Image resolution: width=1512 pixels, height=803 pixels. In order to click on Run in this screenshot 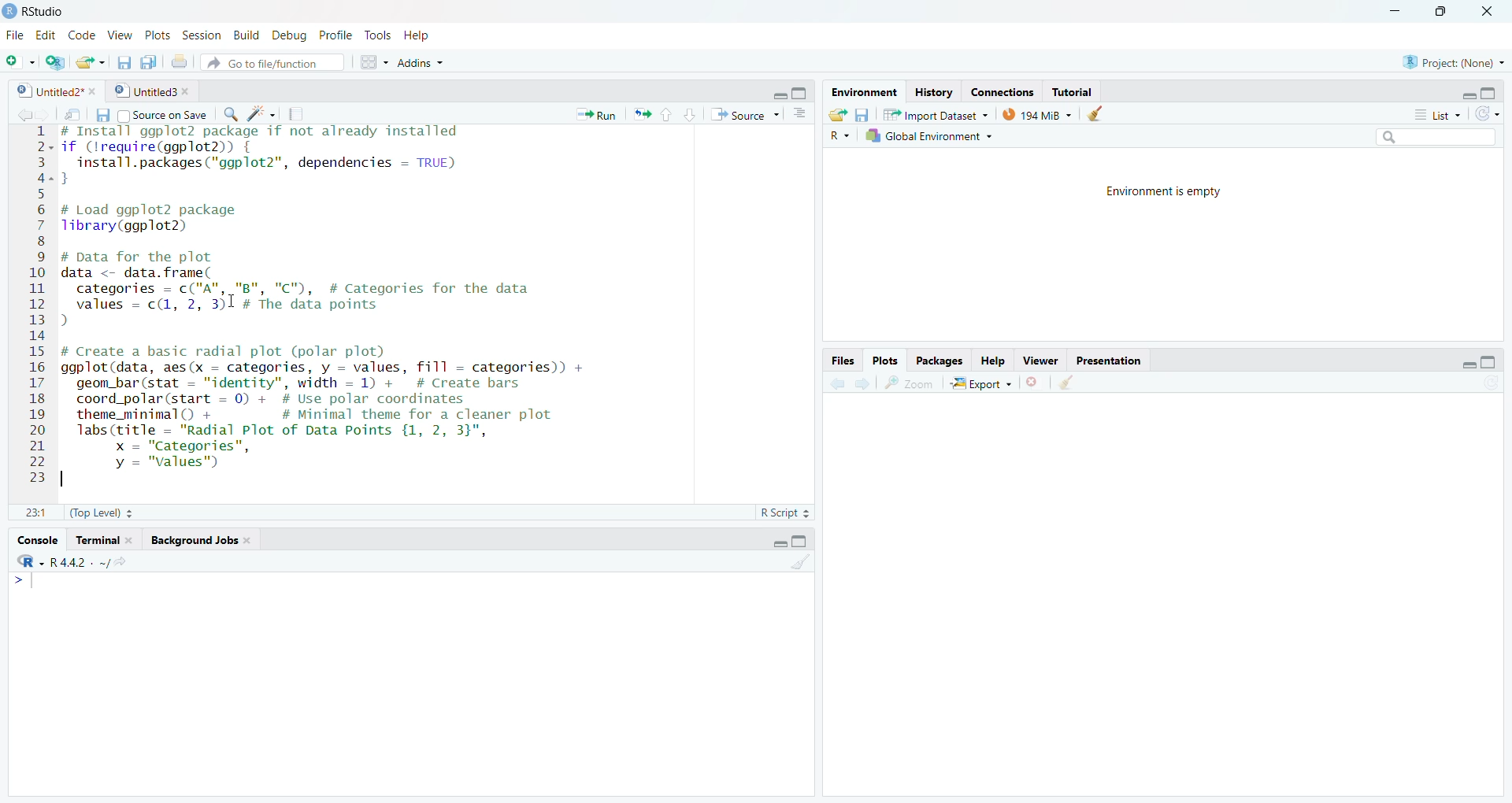, I will do `click(597, 115)`.